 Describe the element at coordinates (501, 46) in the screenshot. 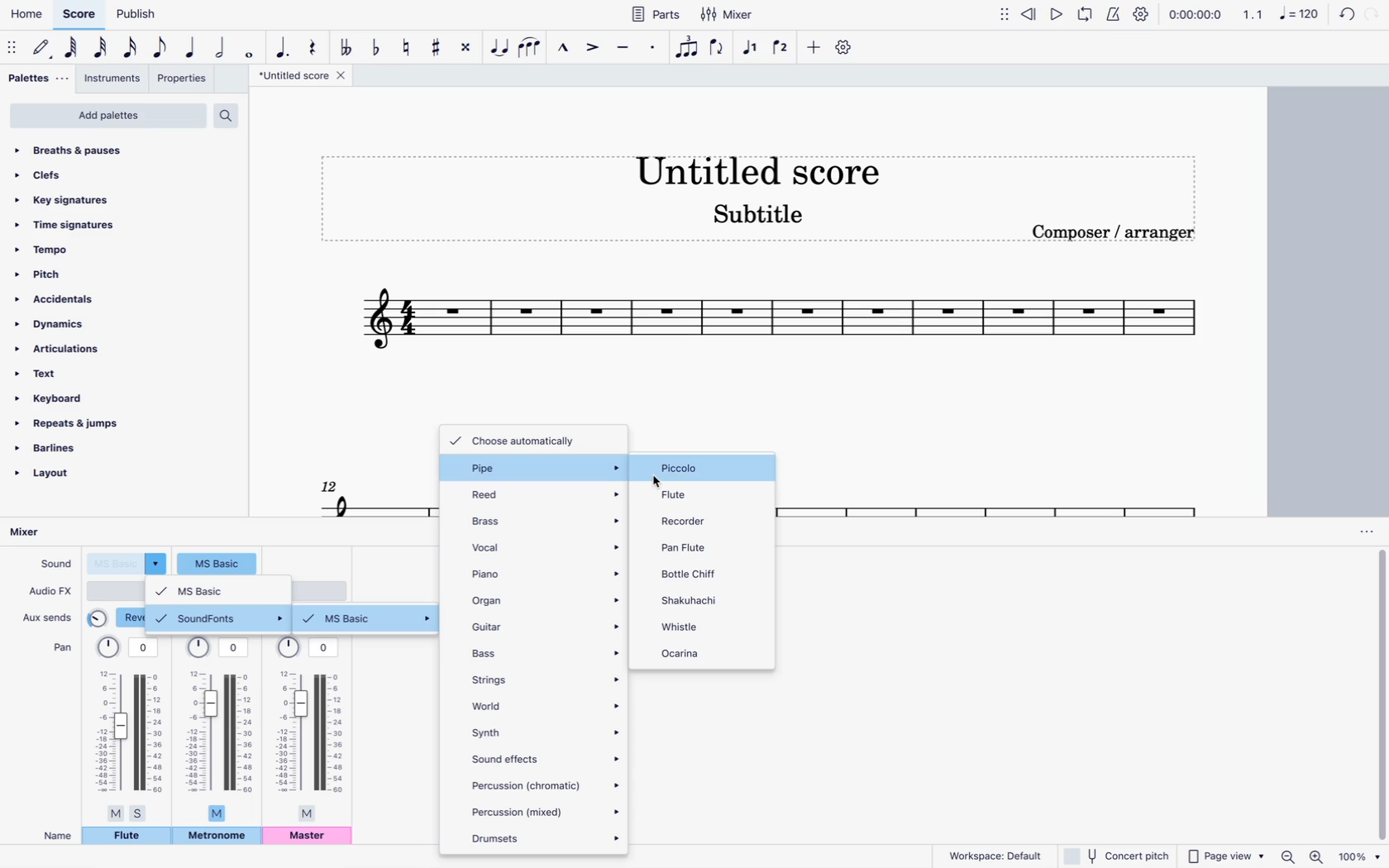

I see `tie` at that location.